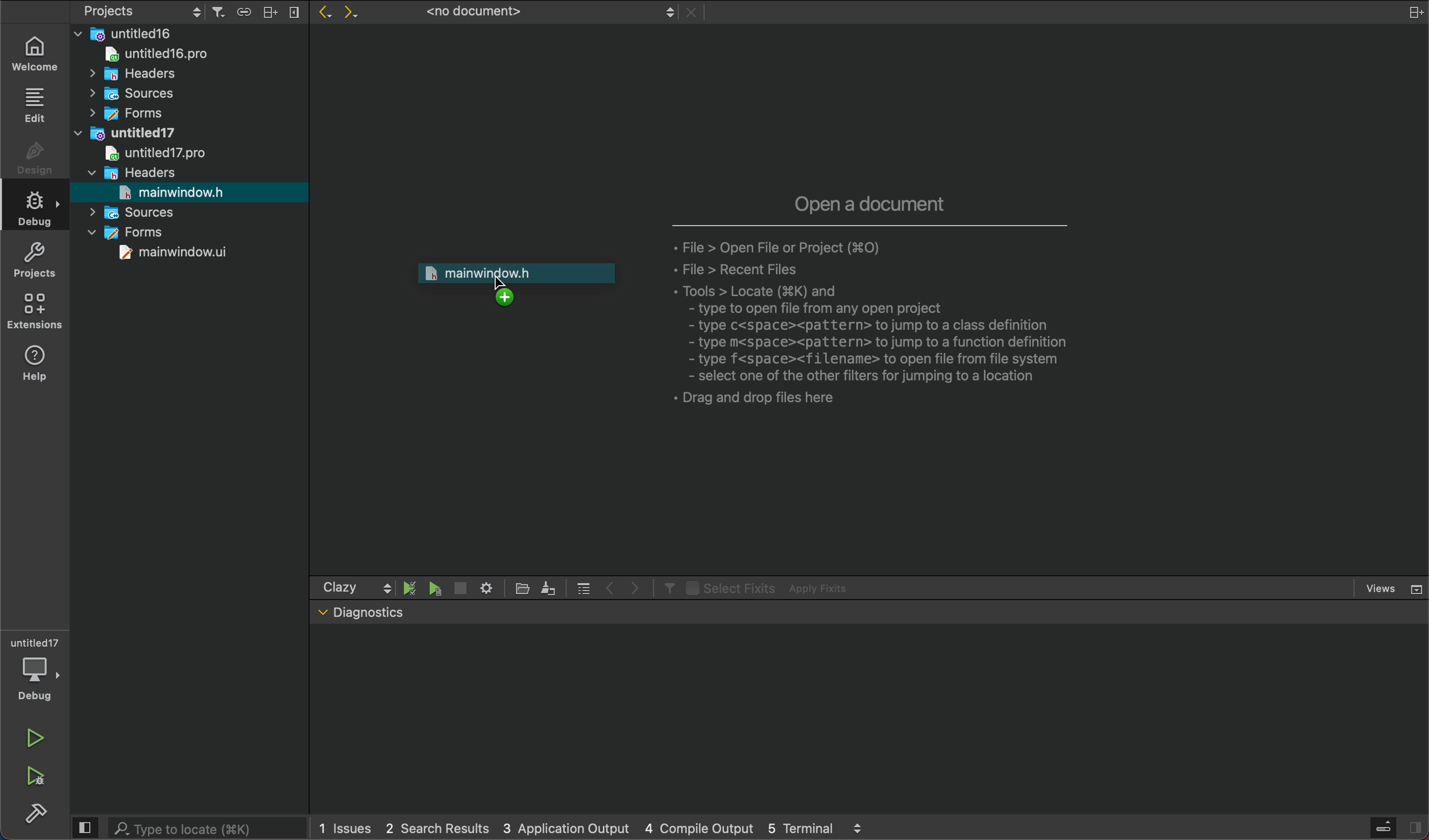 The height and width of the screenshot is (840, 1429). I want to click on Filter, so click(666, 587).